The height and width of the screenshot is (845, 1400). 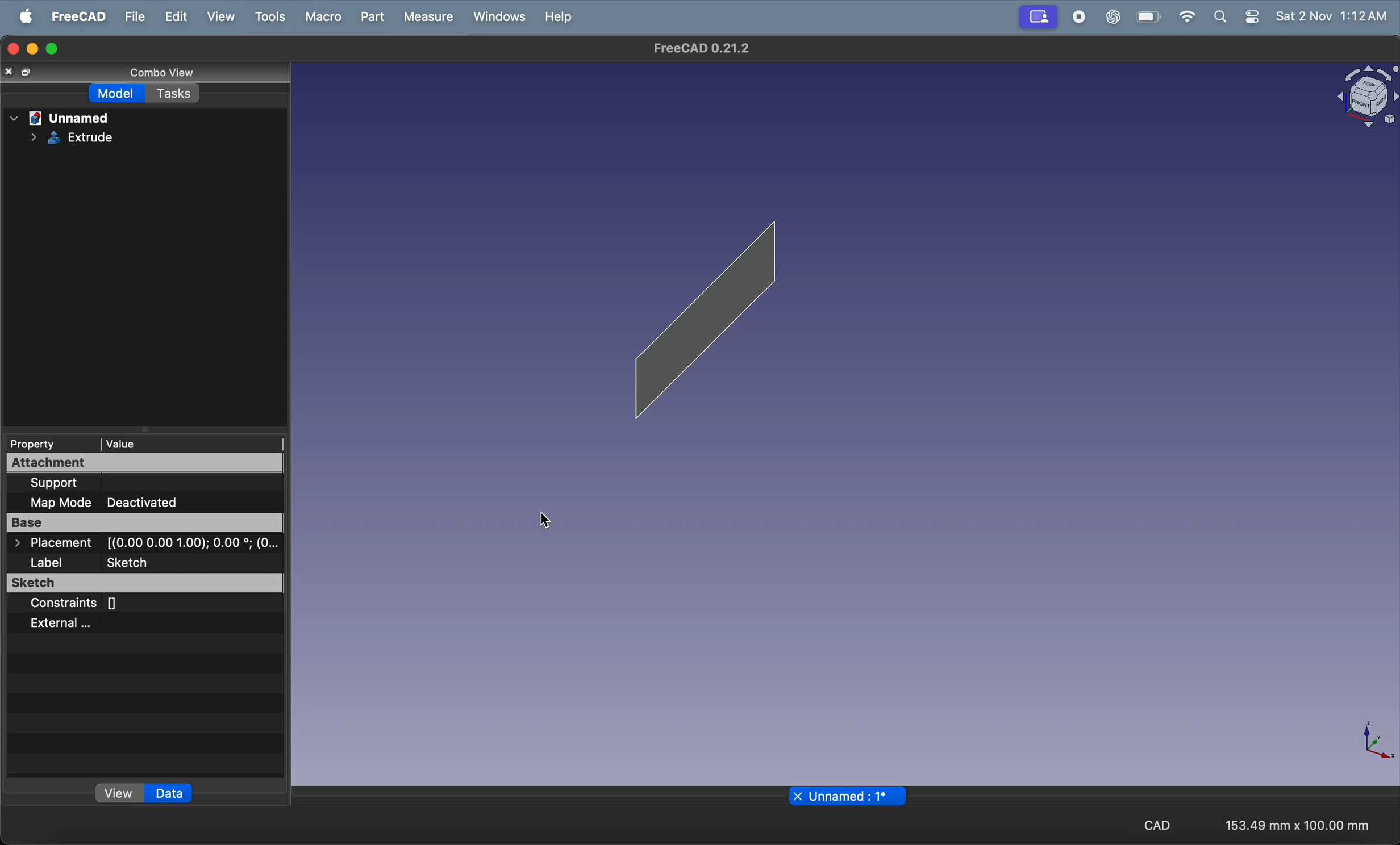 What do you see at coordinates (1332, 16) in the screenshot?
I see `Sat 2 Nov 1:11AM` at bounding box center [1332, 16].